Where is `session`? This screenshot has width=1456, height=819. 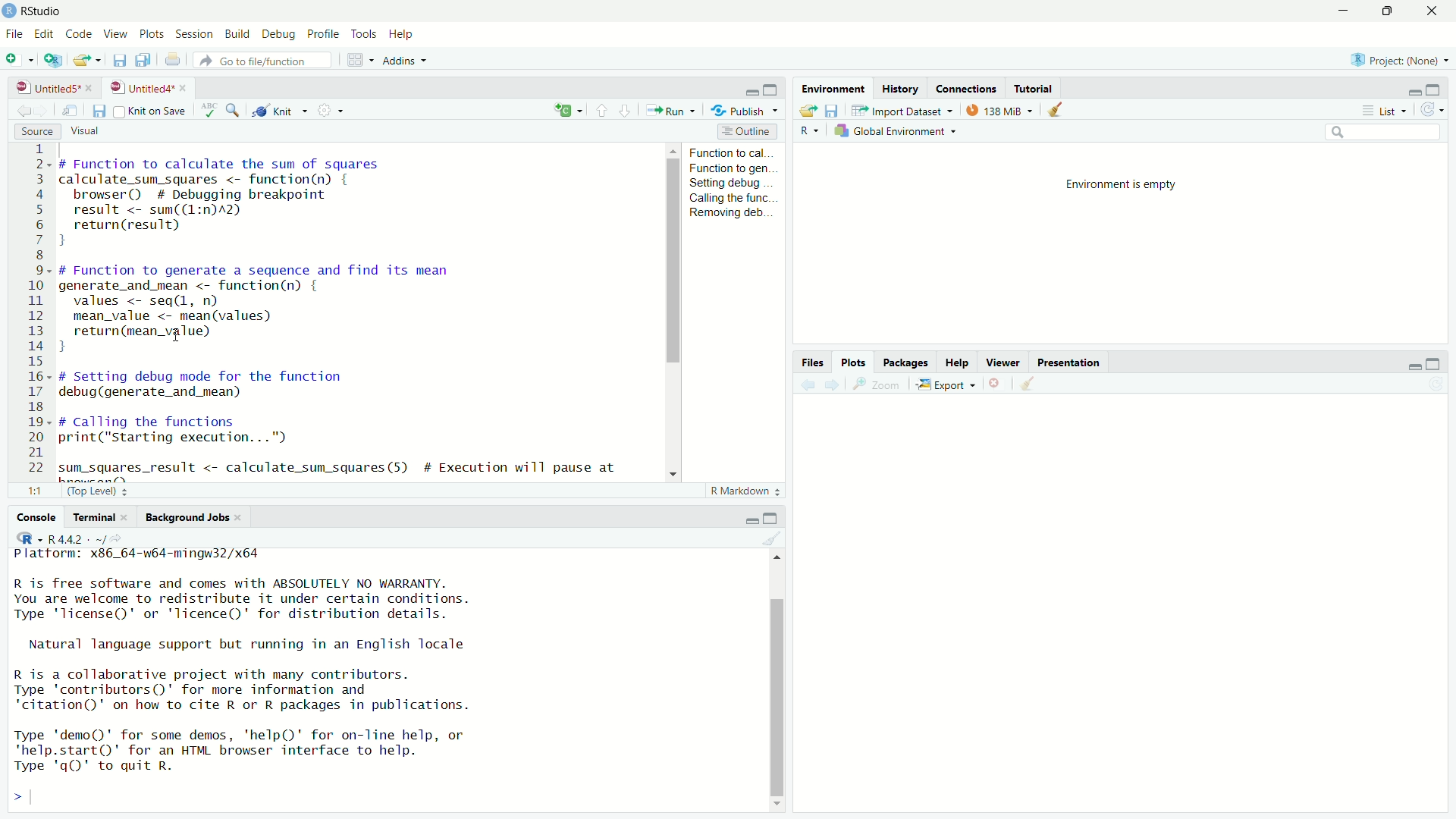
session is located at coordinates (194, 33).